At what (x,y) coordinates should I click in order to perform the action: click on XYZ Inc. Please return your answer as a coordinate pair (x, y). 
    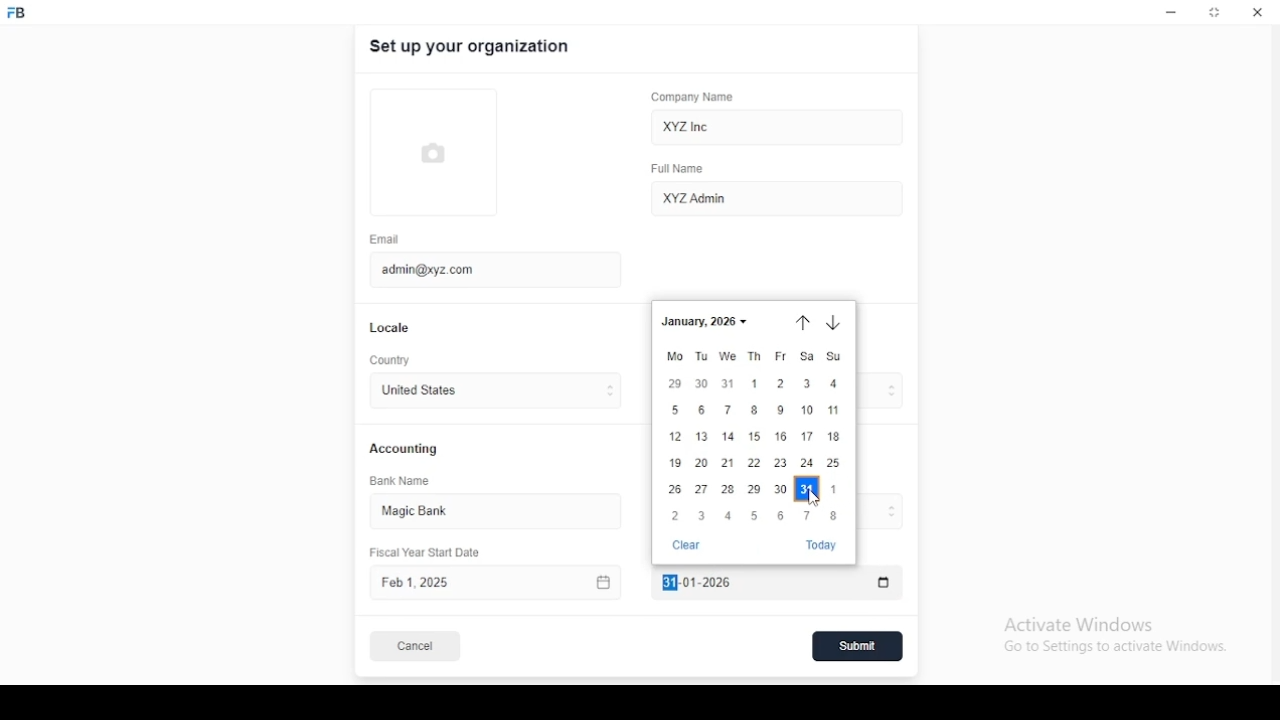
    Looking at the image, I should click on (779, 128).